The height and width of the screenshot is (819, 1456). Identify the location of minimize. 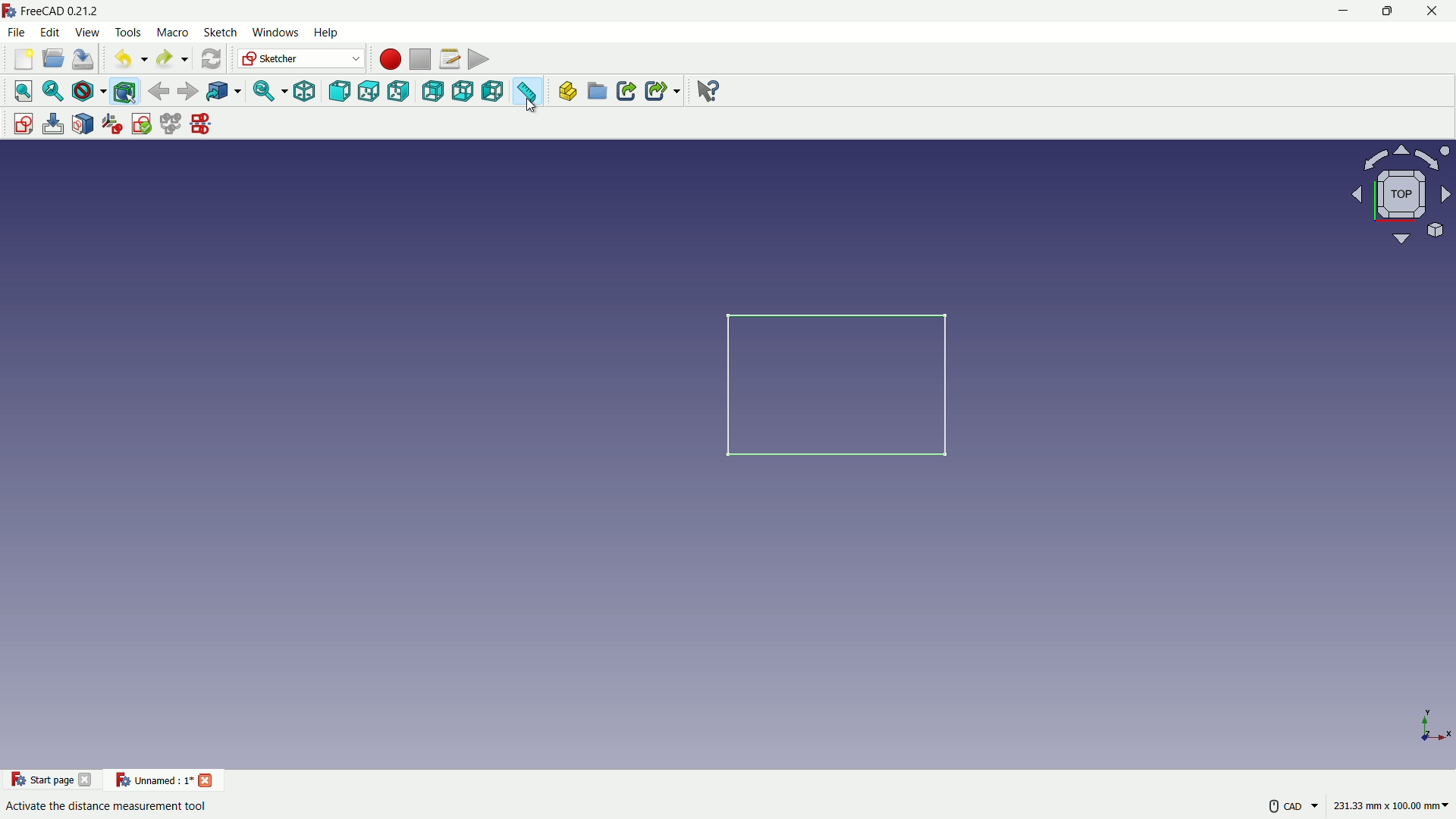
(1341, 11).